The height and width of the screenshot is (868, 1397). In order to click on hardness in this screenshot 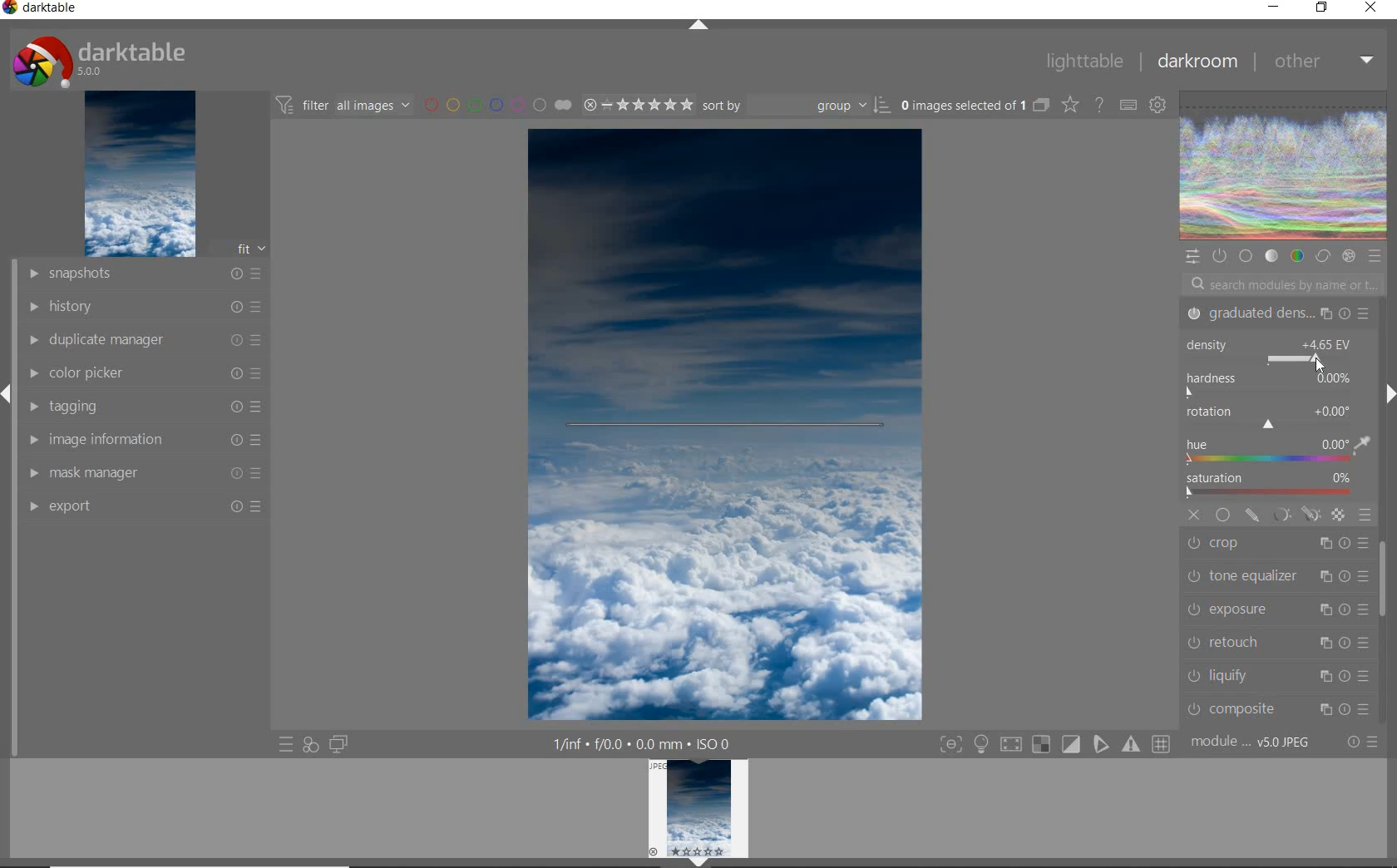, I will do `click(1272, 386)`.